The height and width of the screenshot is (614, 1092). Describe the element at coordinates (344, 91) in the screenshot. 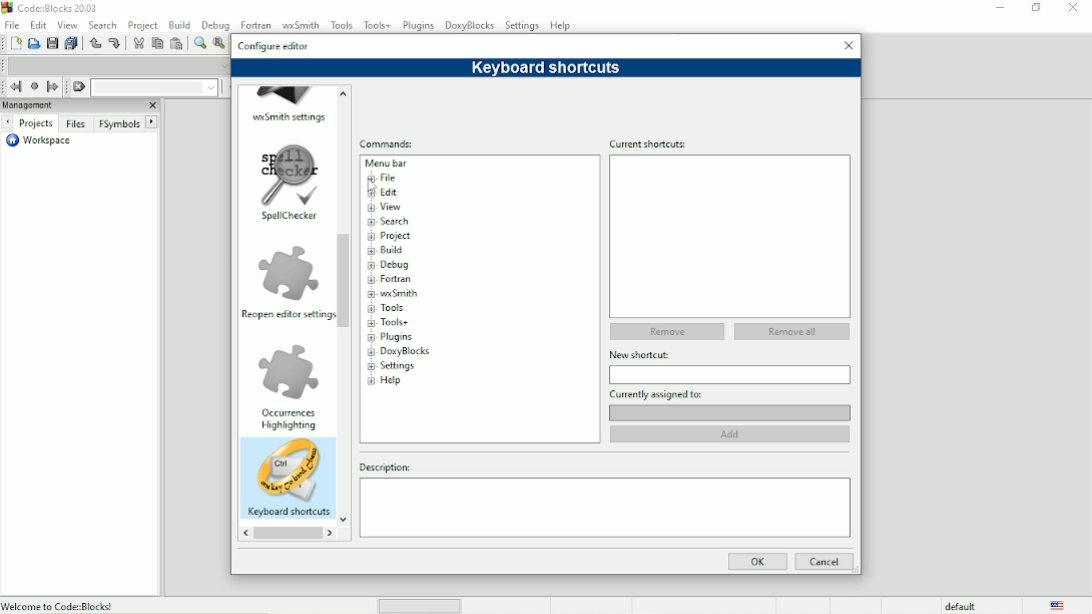

I see `up` at that location.